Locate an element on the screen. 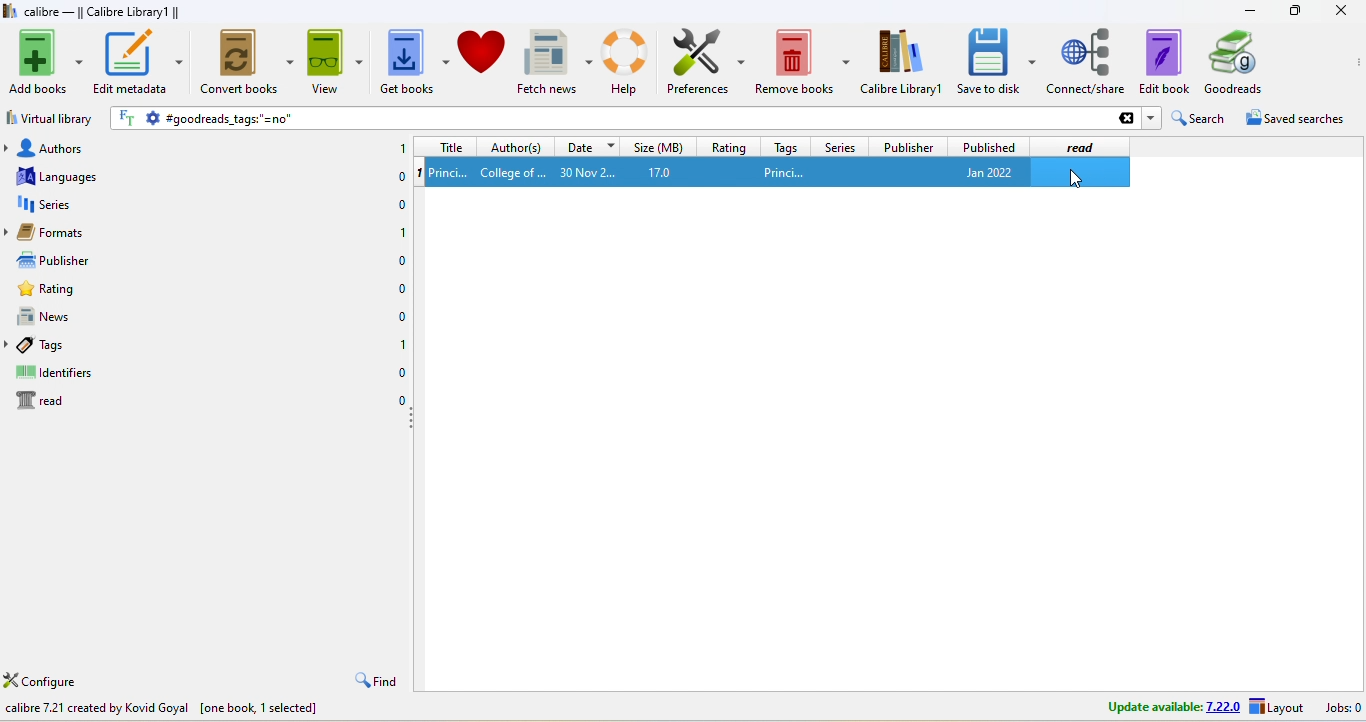 This screenshot has width=1366, height=722. authors is located at coordinates (61, 148).